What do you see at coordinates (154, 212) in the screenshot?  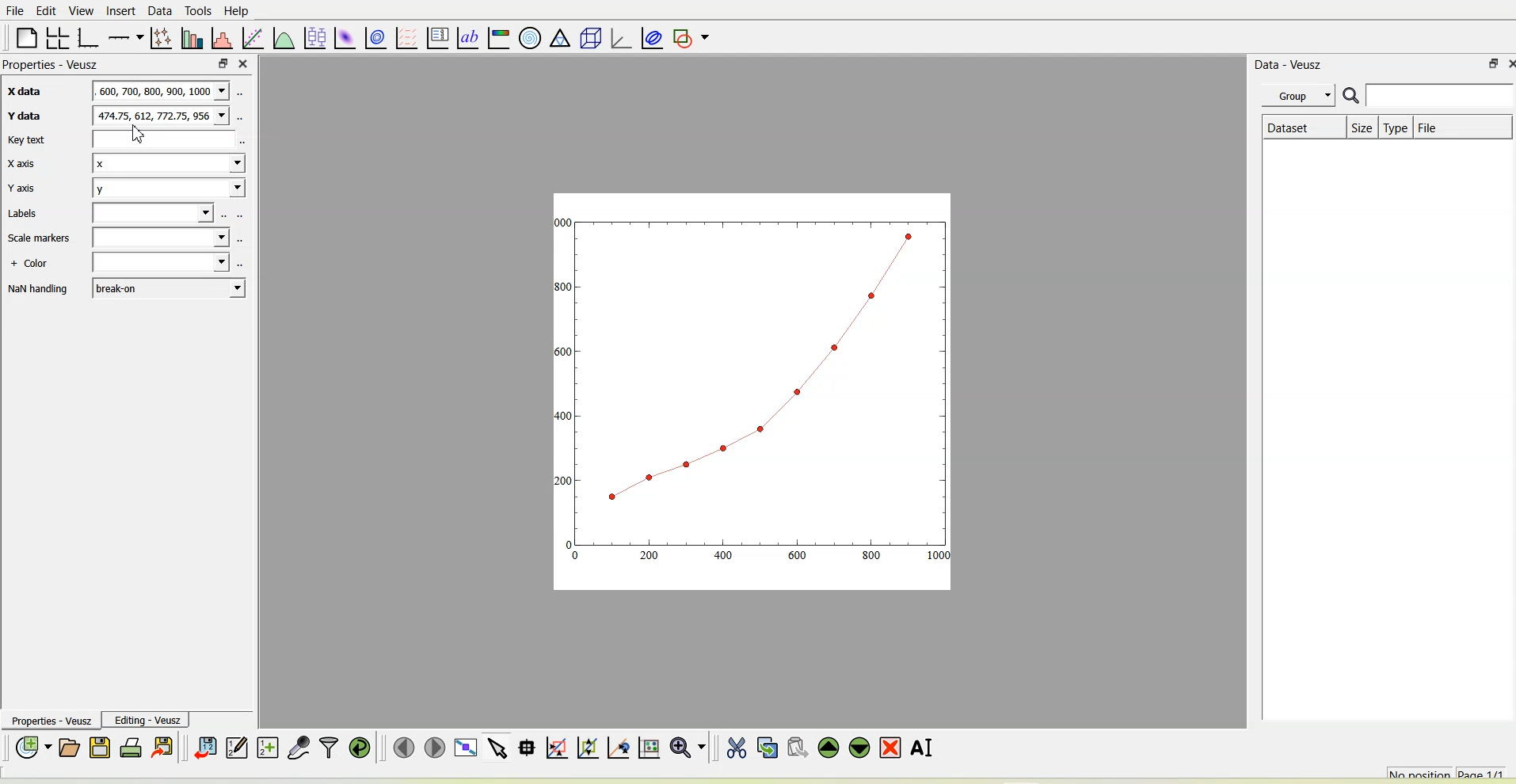 I see `Blank` at bounding box center [154, 212].